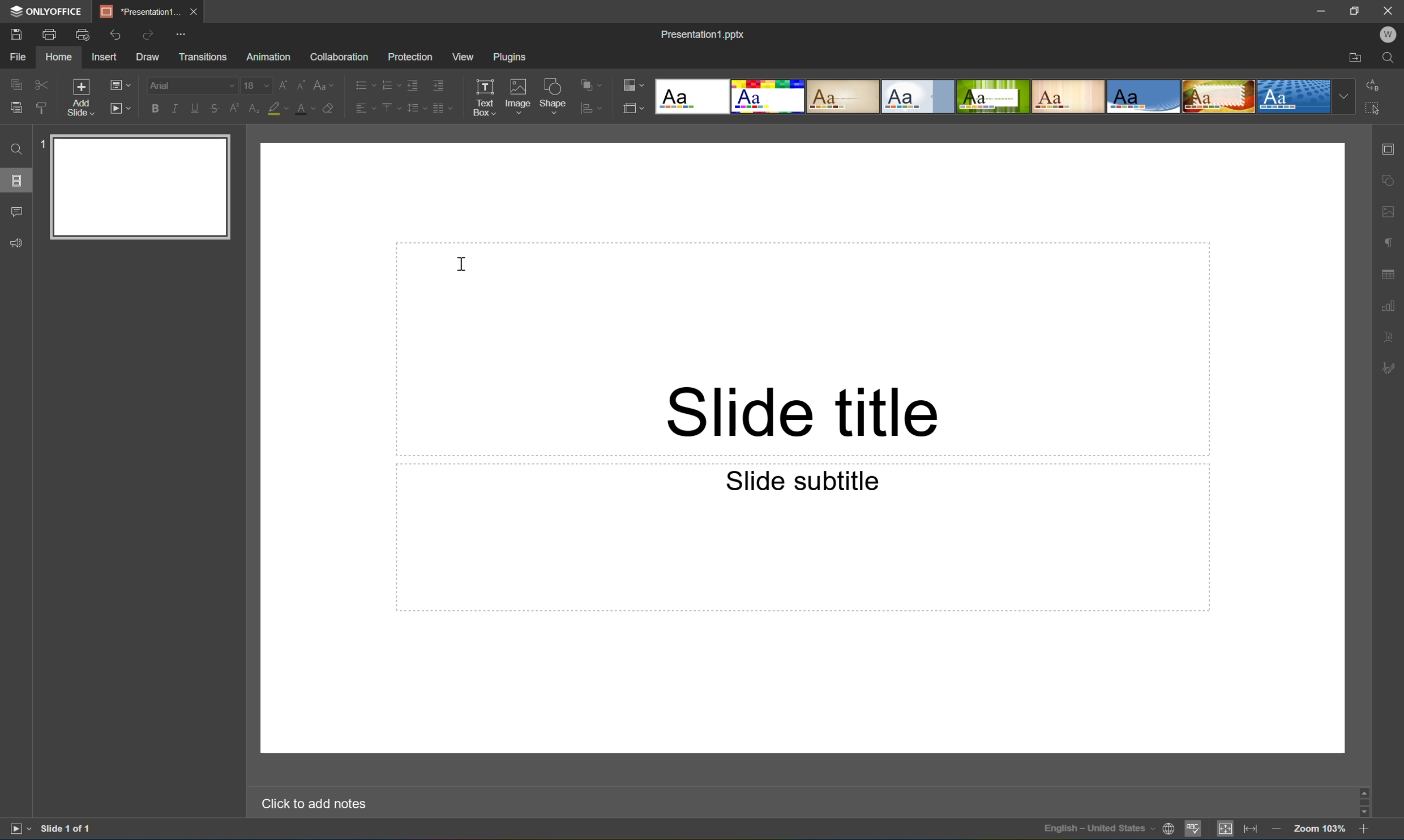  Describe the element at coordinates (258, 87) in the screenshot. I see `Font size` at that location.